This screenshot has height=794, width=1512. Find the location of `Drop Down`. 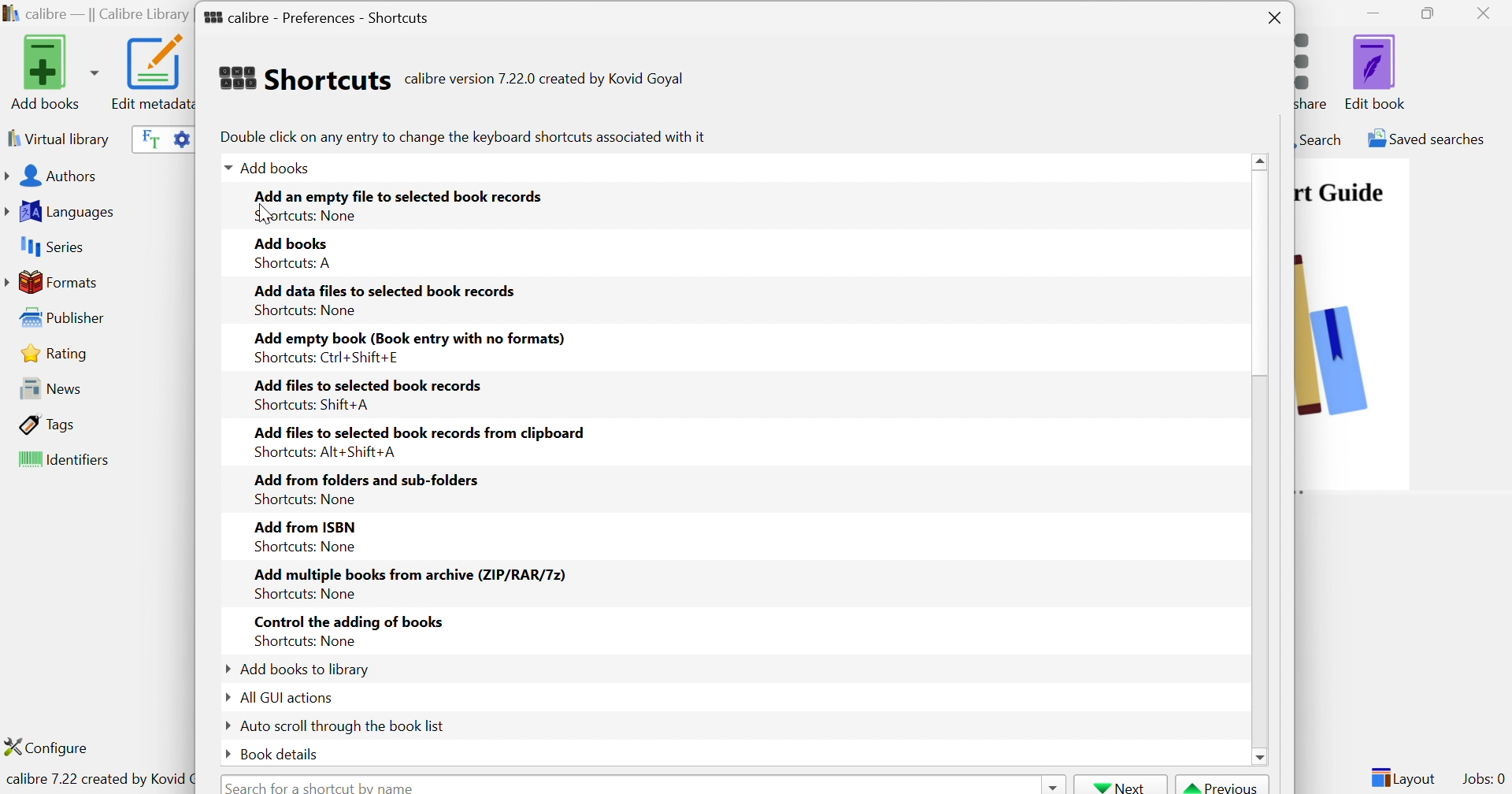

Drop Down is located at coordinates (1051, 785).